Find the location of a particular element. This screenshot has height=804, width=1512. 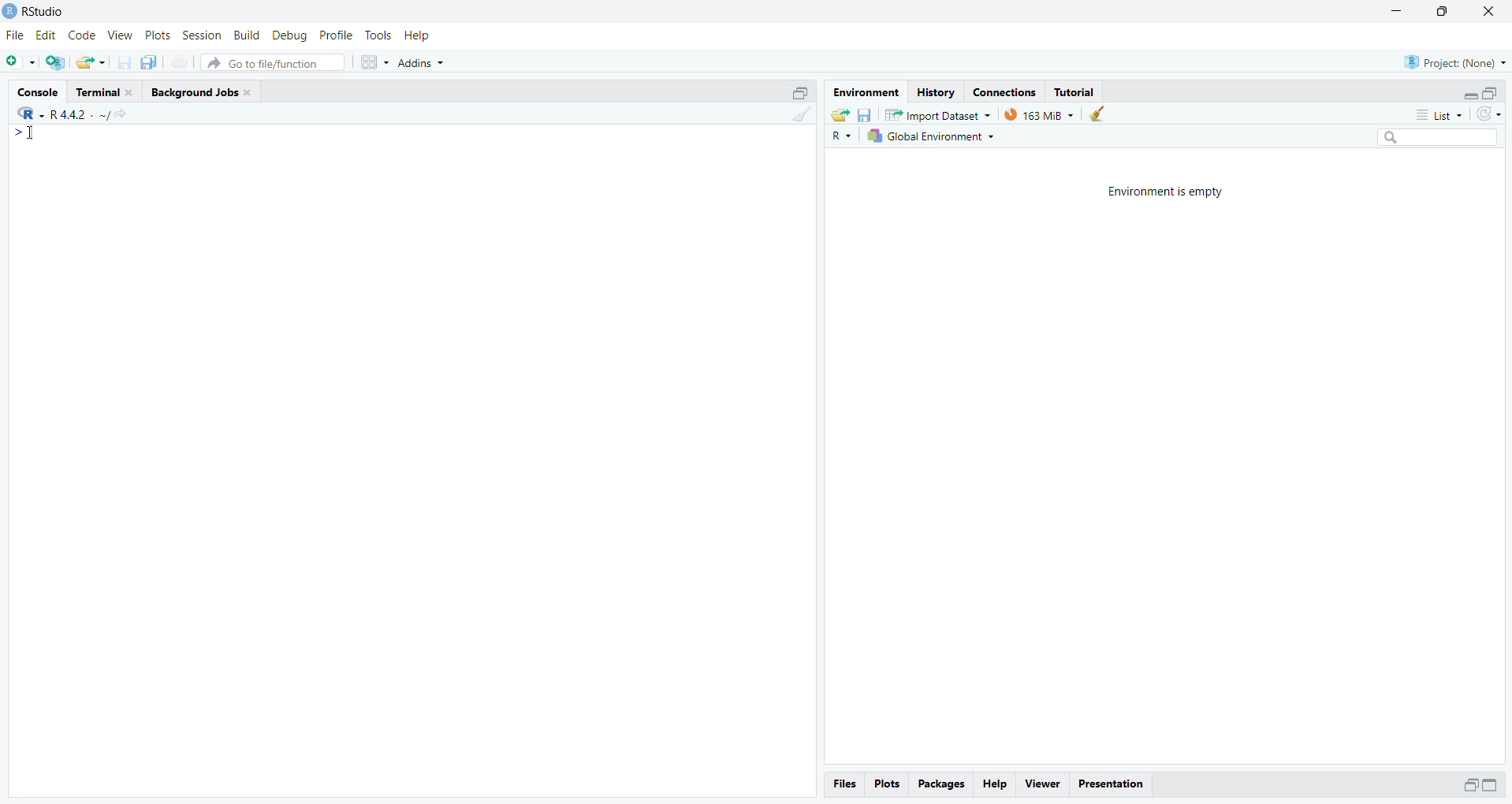

RStudio is located at coordinates (47, 12).